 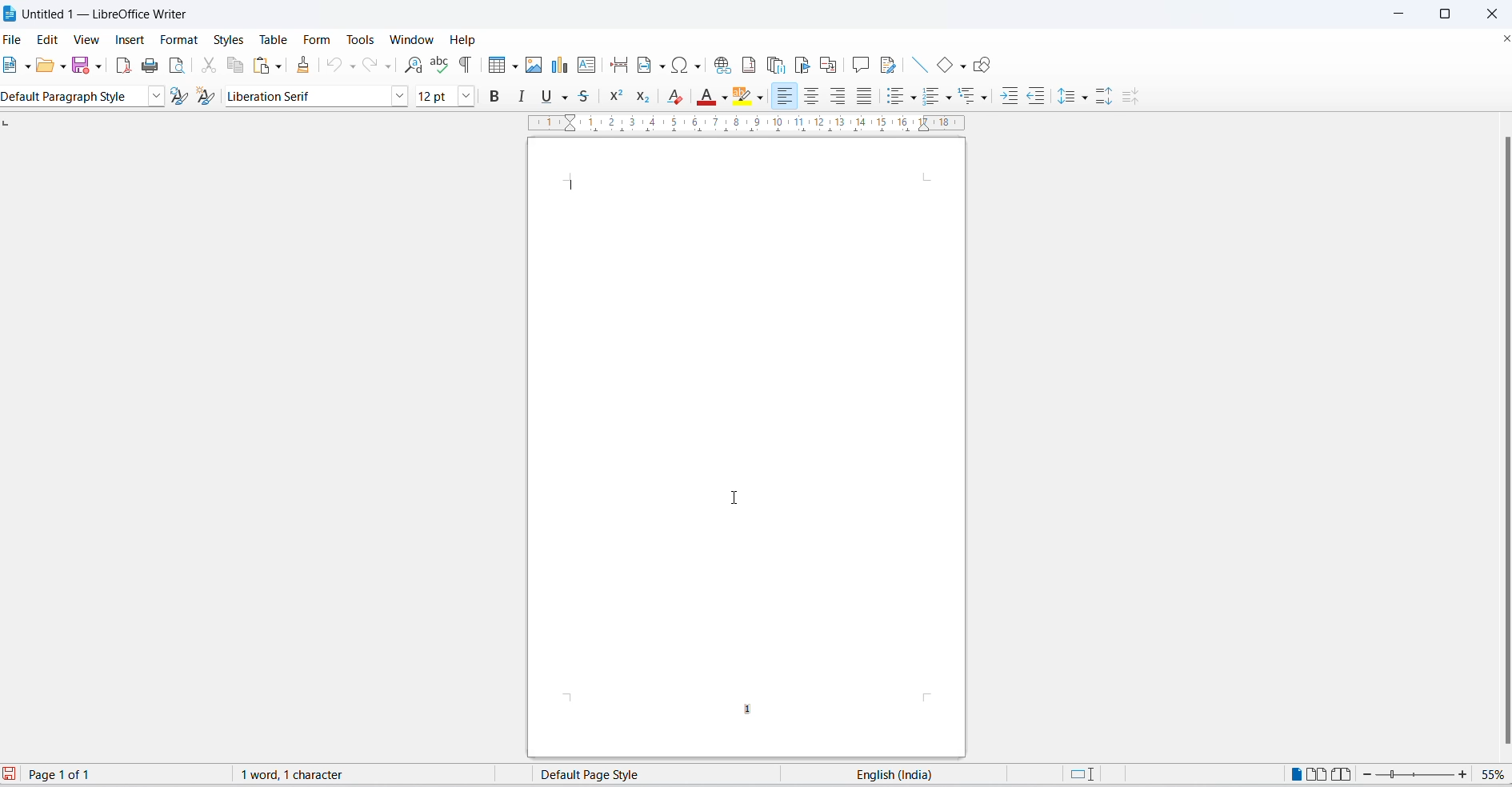 I want to click on insert field, so click(x=650, y=65).